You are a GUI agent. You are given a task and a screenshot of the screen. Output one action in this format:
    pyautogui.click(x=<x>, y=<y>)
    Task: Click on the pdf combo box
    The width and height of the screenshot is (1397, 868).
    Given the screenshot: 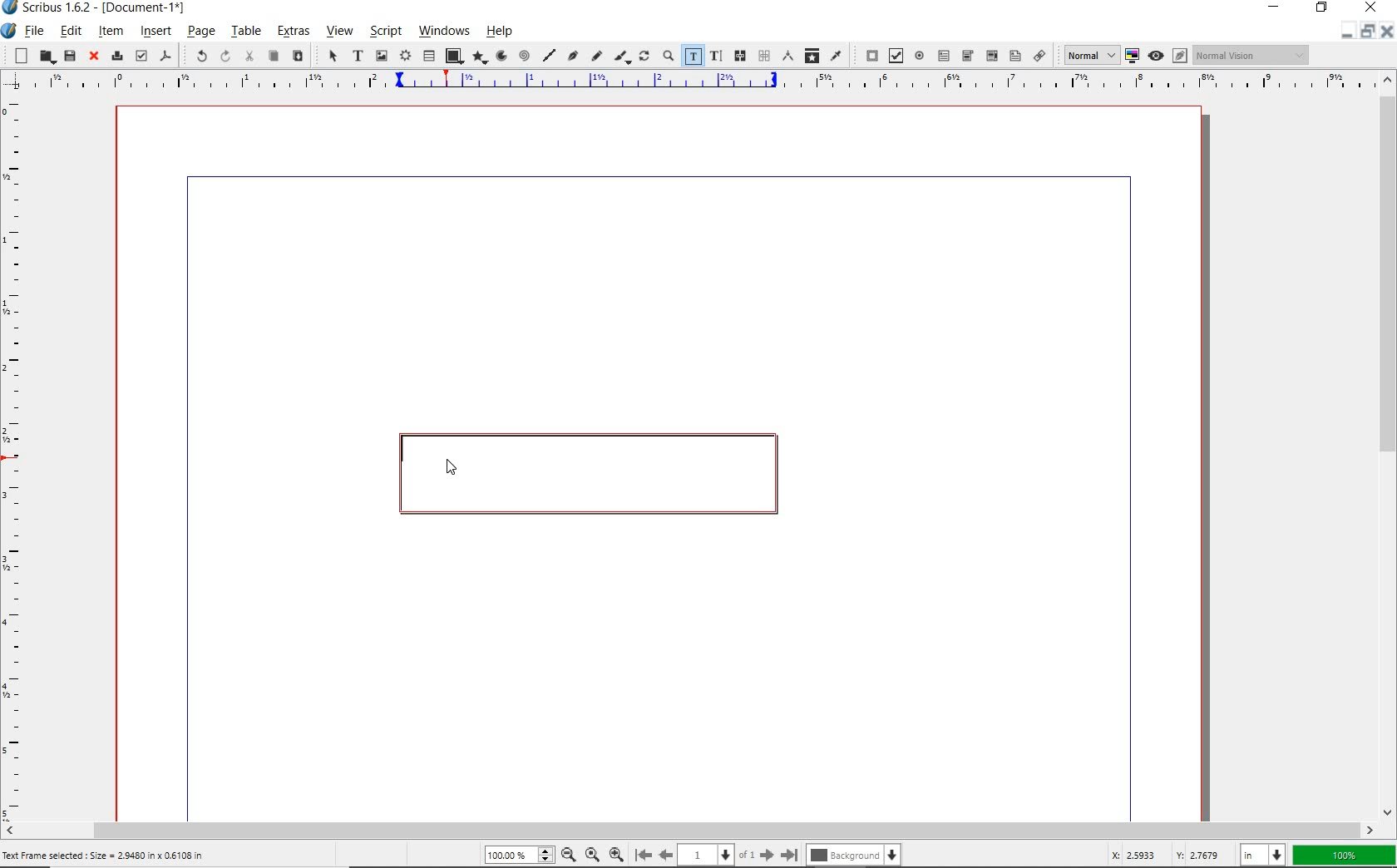 What is the action you would take?
    pyautogui.click(x=967, y=56)
    